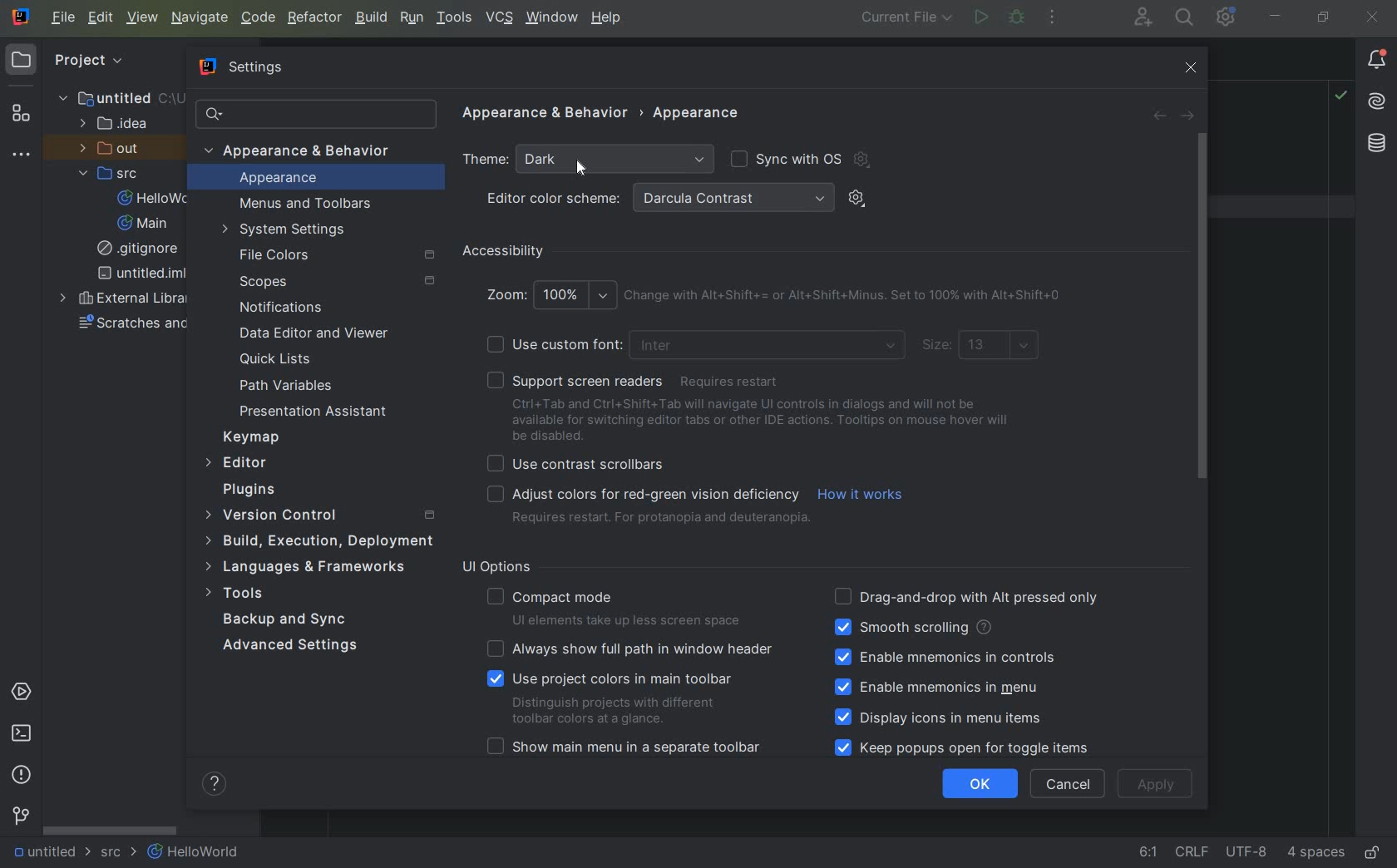 The height and width of the screenshot is (868, 1397). I want to click on UNTITLED, so click(50, 853).